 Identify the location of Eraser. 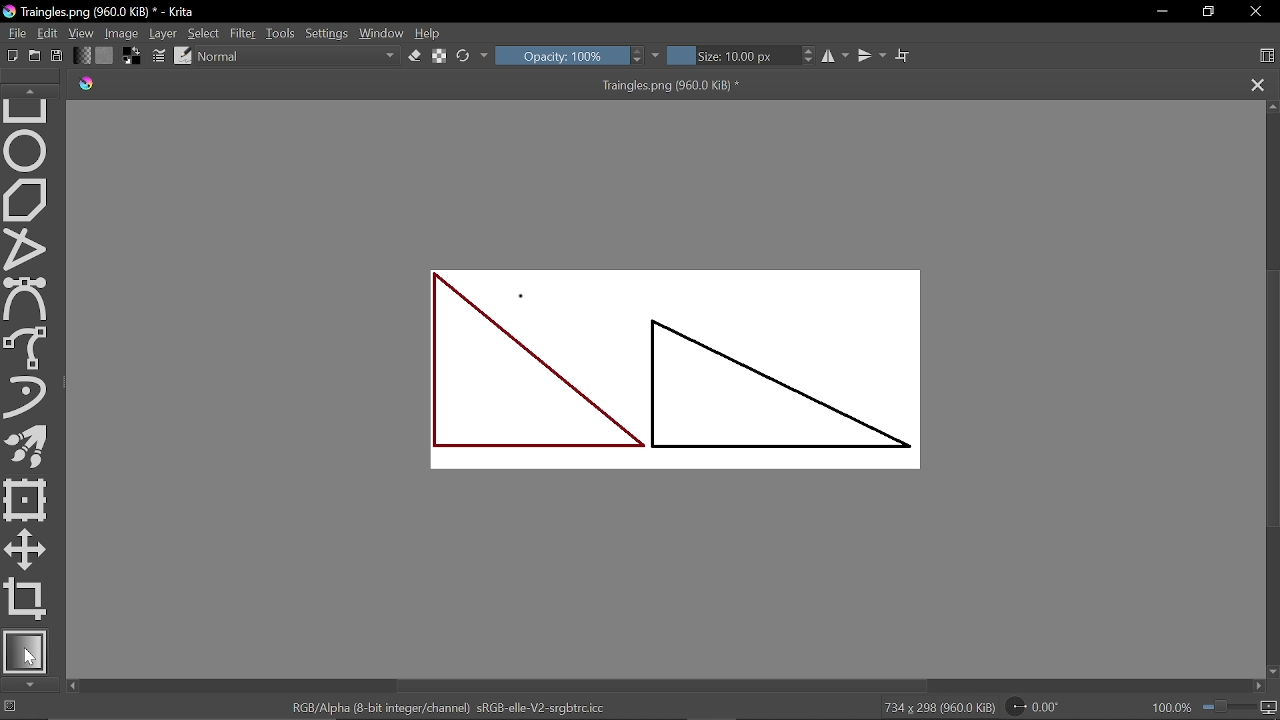
(414, 57).